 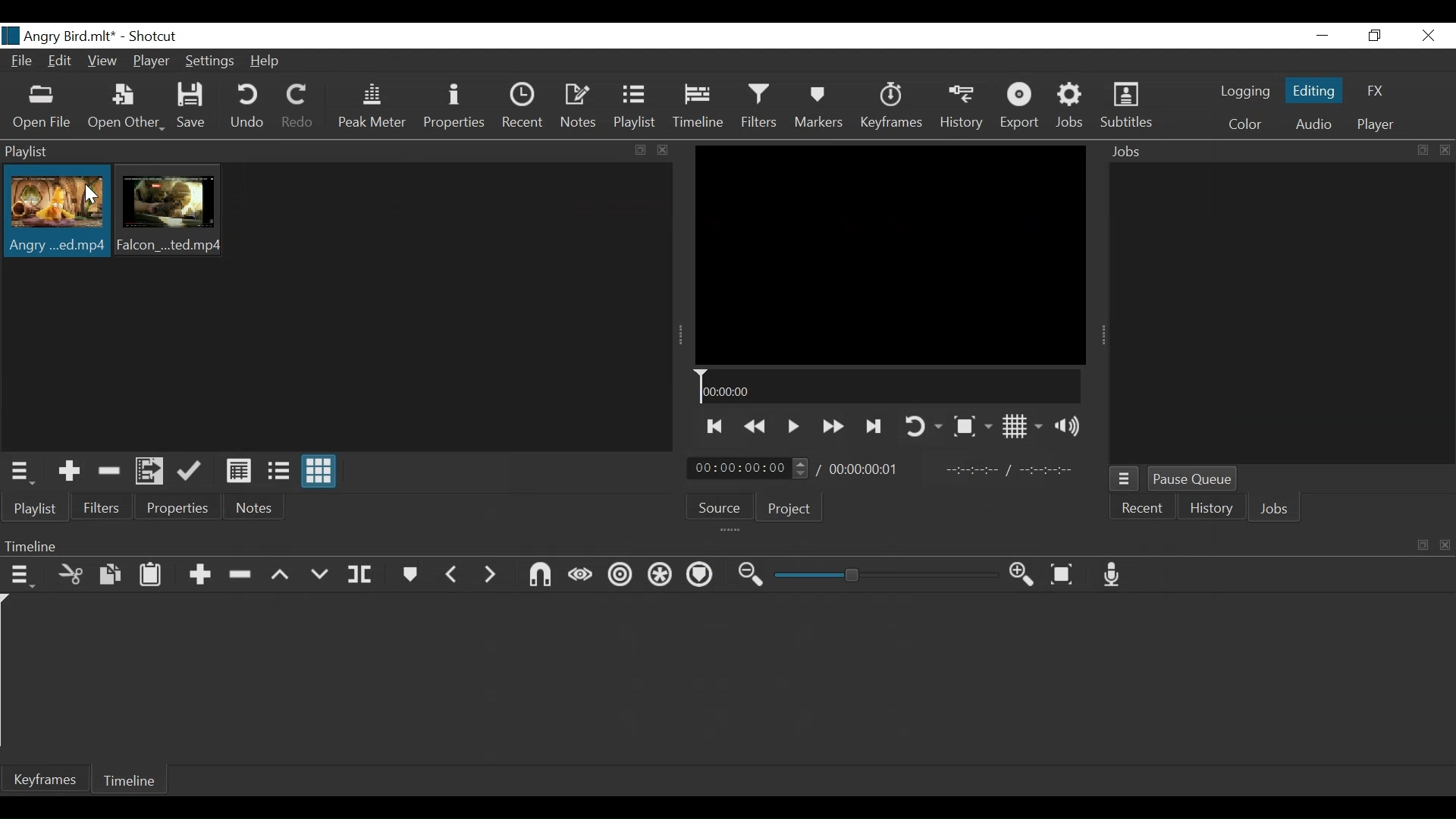 What do you see at coordinates (1012, 471) in the screenshot?
I see `In Point` at bounding box center [1012, 471].